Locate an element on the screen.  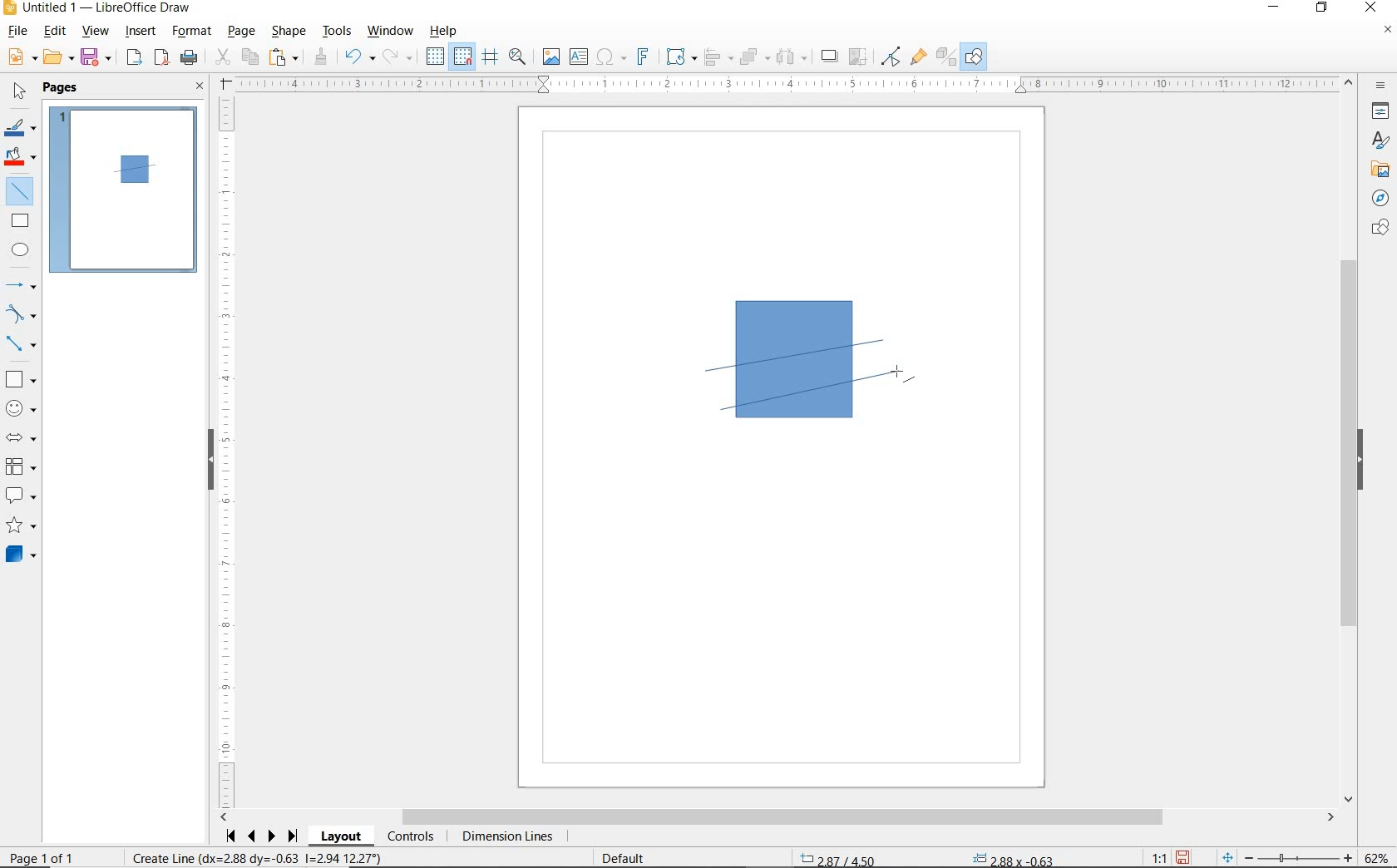
EXPORT AS PDF is located at coordinates (163, 59).